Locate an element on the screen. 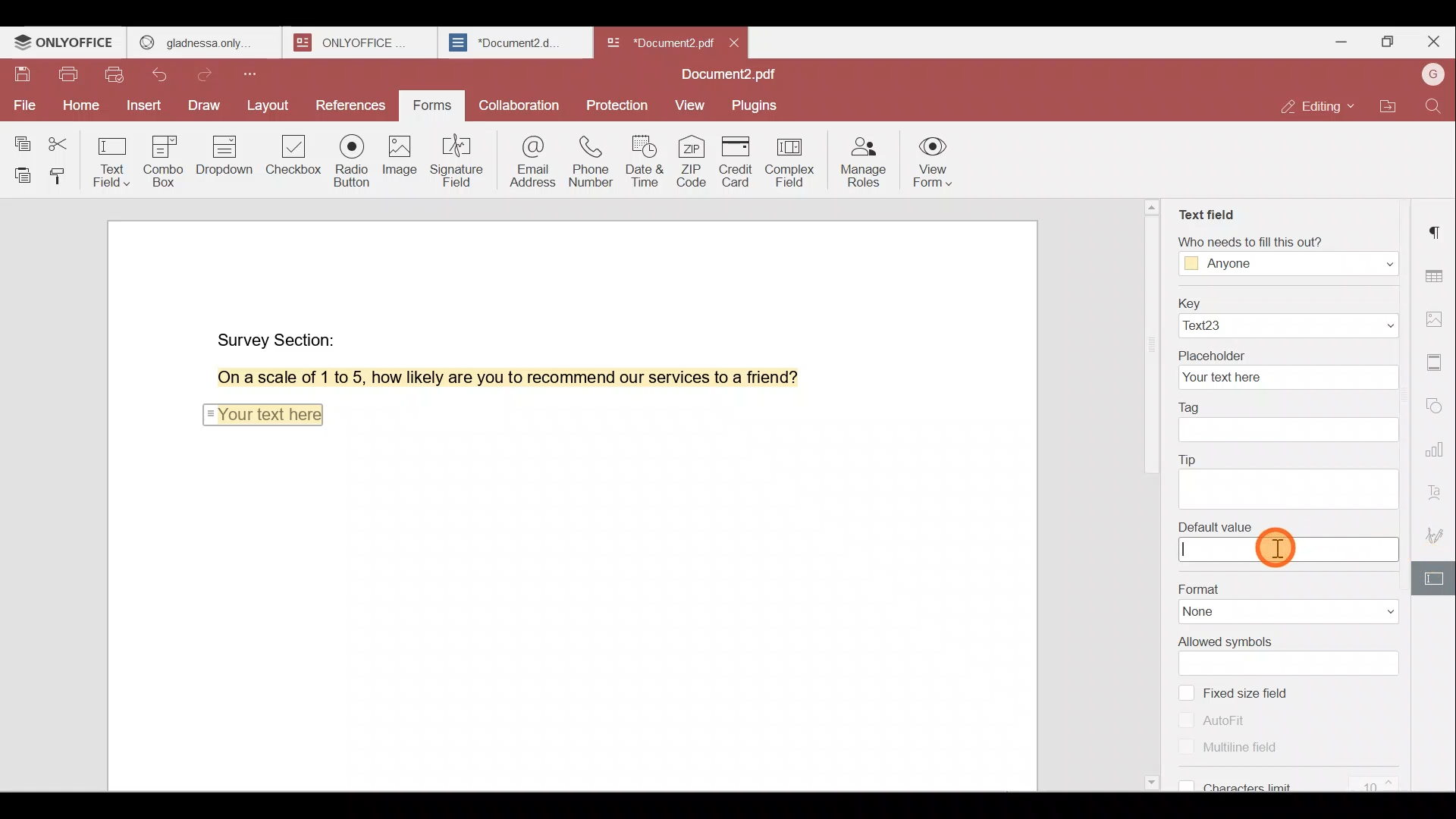 The height and width of the screenshot is (819, 1456). Placeholder is located at coordinates (1287, 369).